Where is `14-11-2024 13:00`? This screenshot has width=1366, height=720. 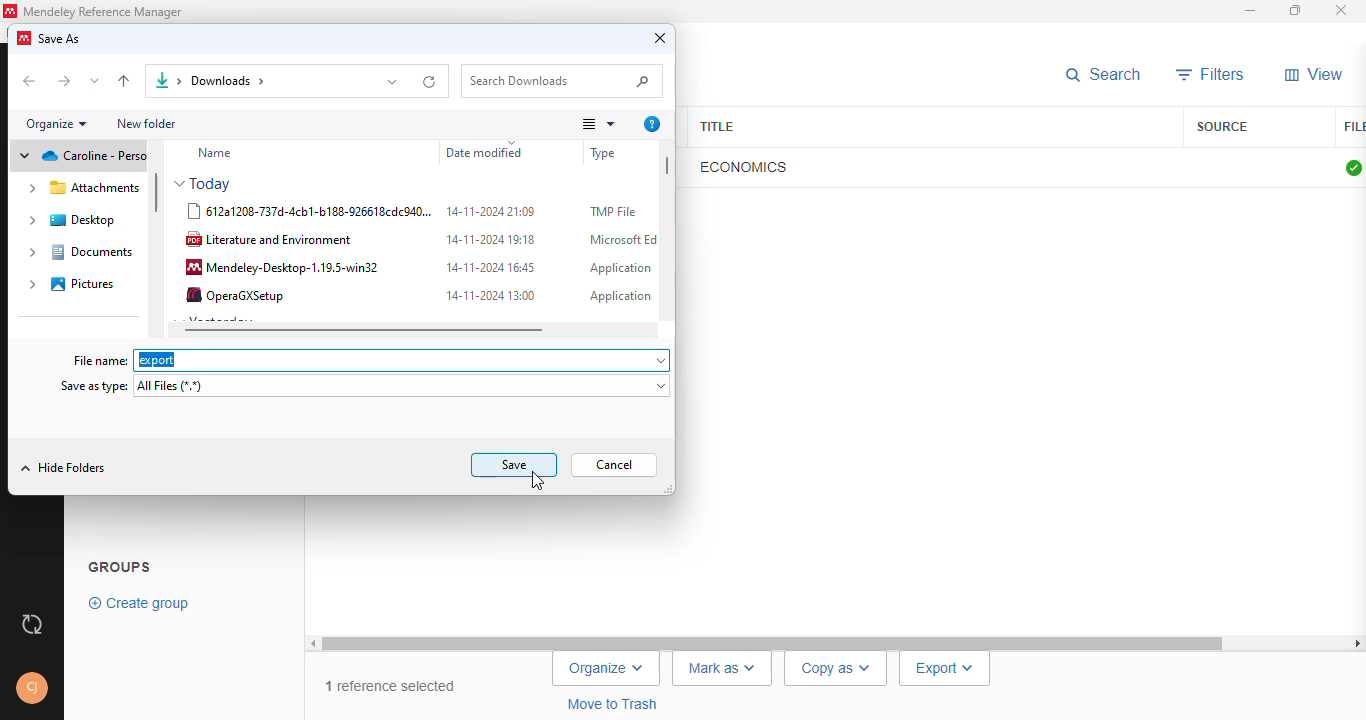
14-11-2024 13:00 is located at coordinates (490, 295).